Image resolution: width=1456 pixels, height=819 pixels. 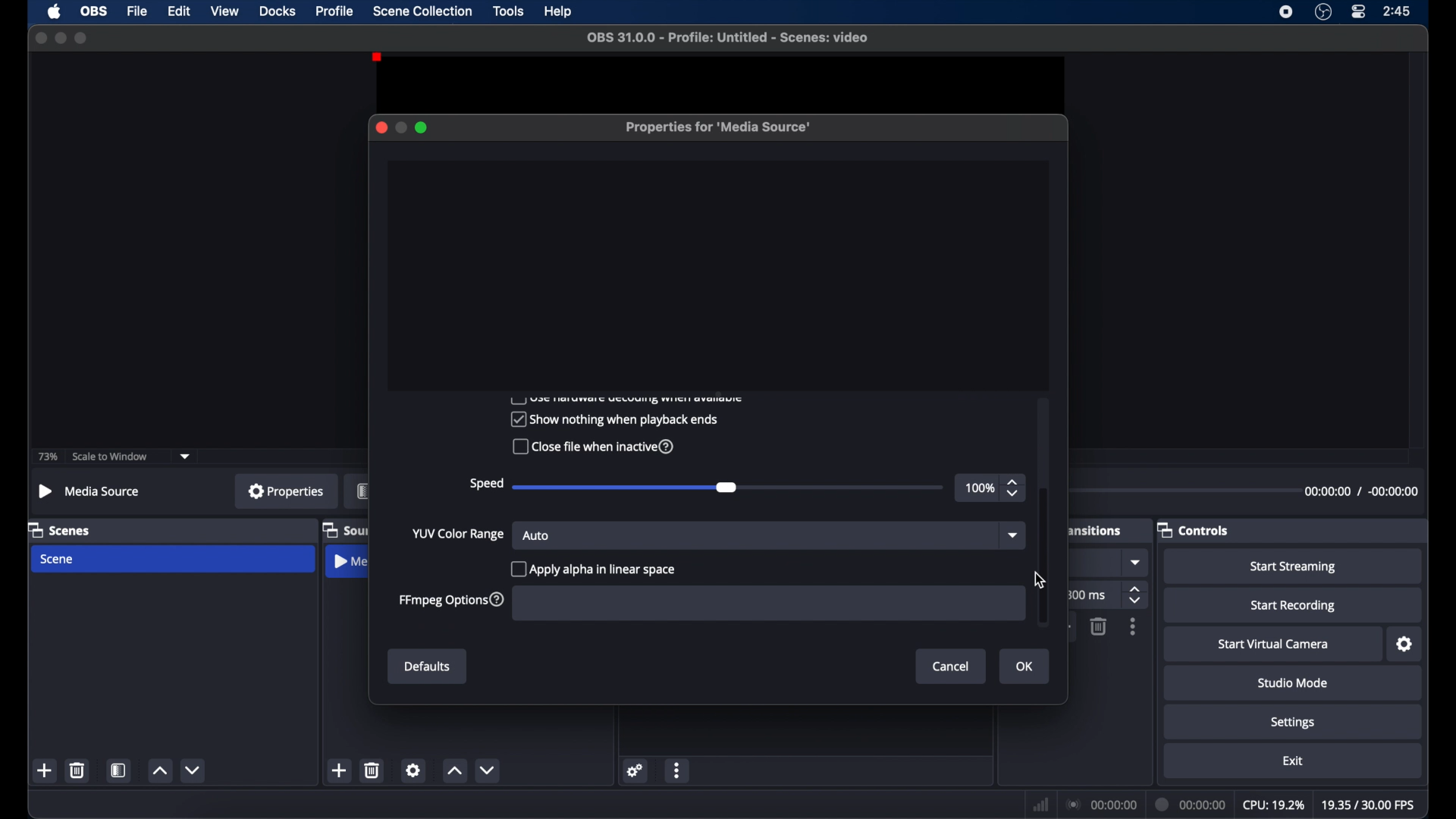 I want to click on media source, so click(x=350, y=563).